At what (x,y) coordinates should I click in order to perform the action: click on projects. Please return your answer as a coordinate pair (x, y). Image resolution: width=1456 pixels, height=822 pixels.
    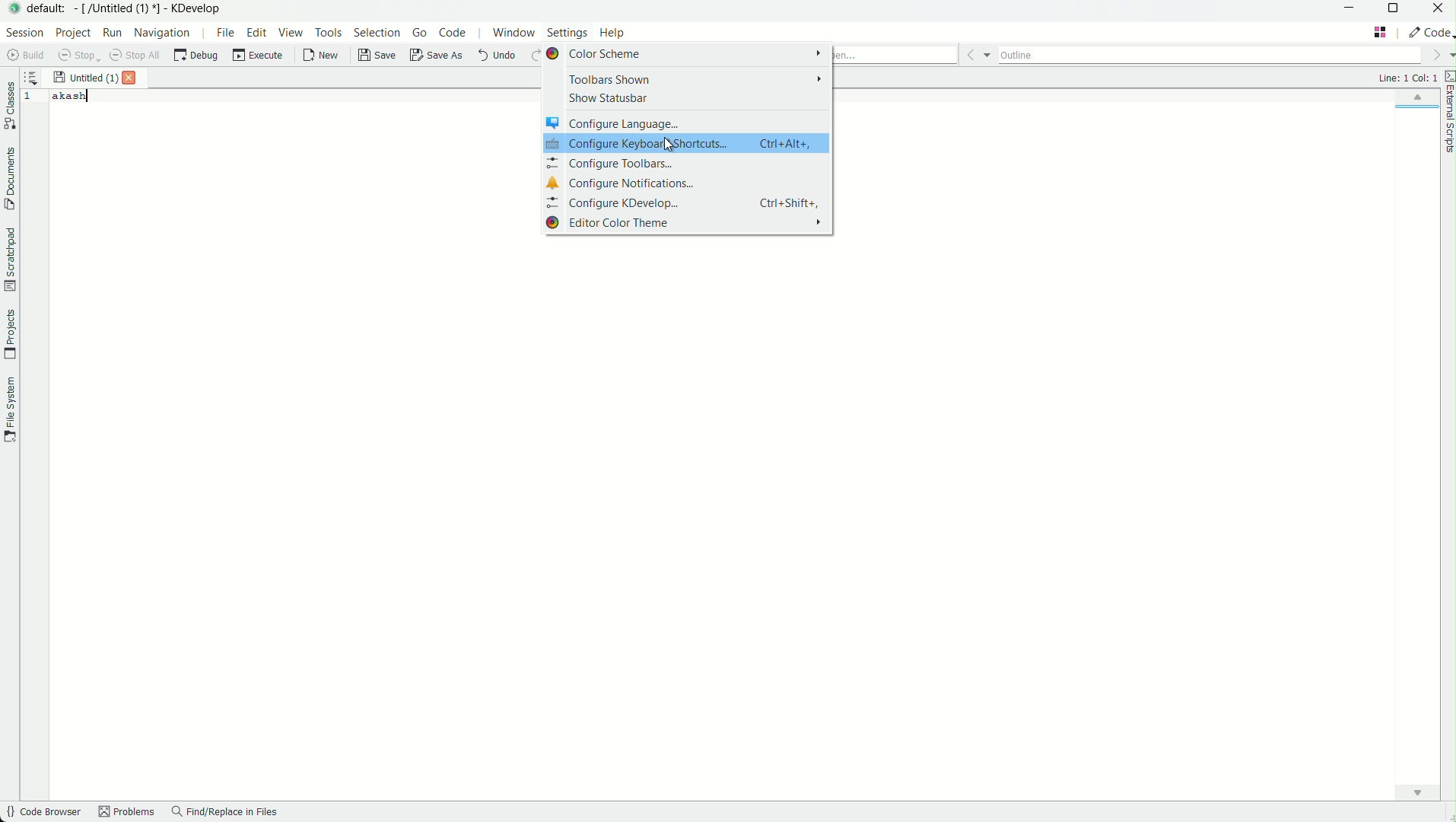
    Looking at the image, I should click on (9, 335).